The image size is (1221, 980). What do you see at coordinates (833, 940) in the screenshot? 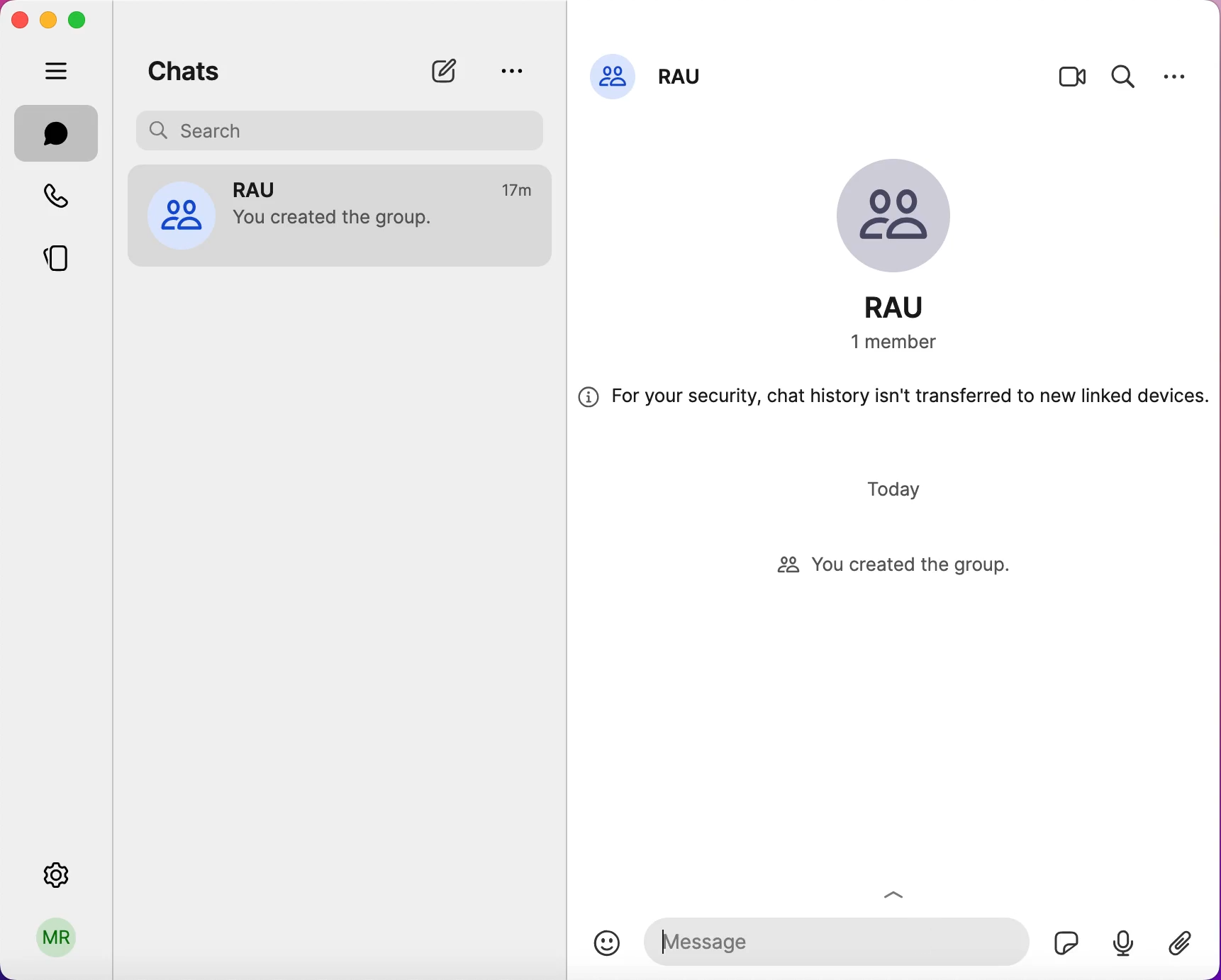
I see `message` at bounding box center [833, 940].